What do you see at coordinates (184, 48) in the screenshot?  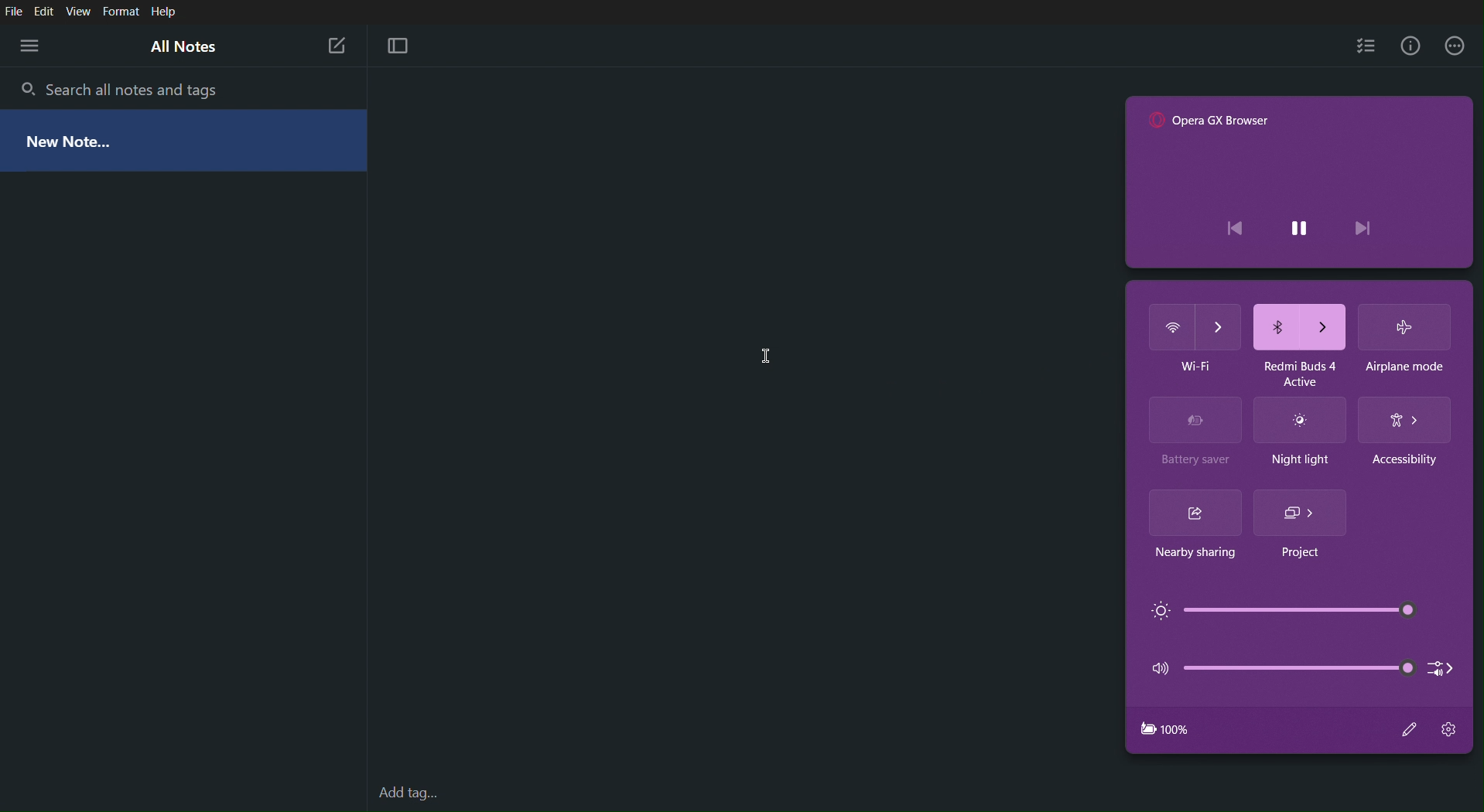 I see `All Notes` at bounding box center [184, 48].